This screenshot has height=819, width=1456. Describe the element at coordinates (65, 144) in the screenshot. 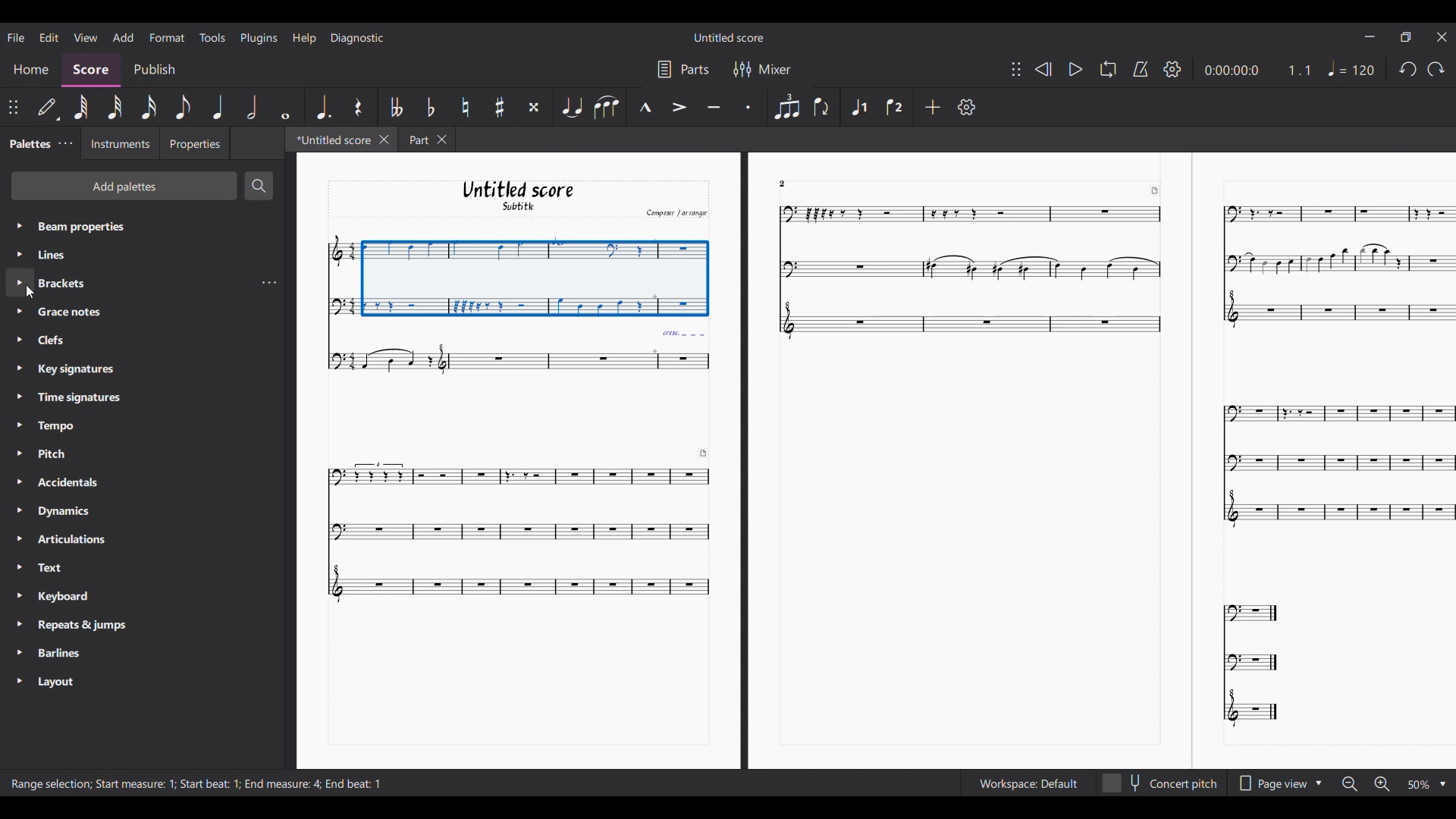

I see `Palette settings` at that location.